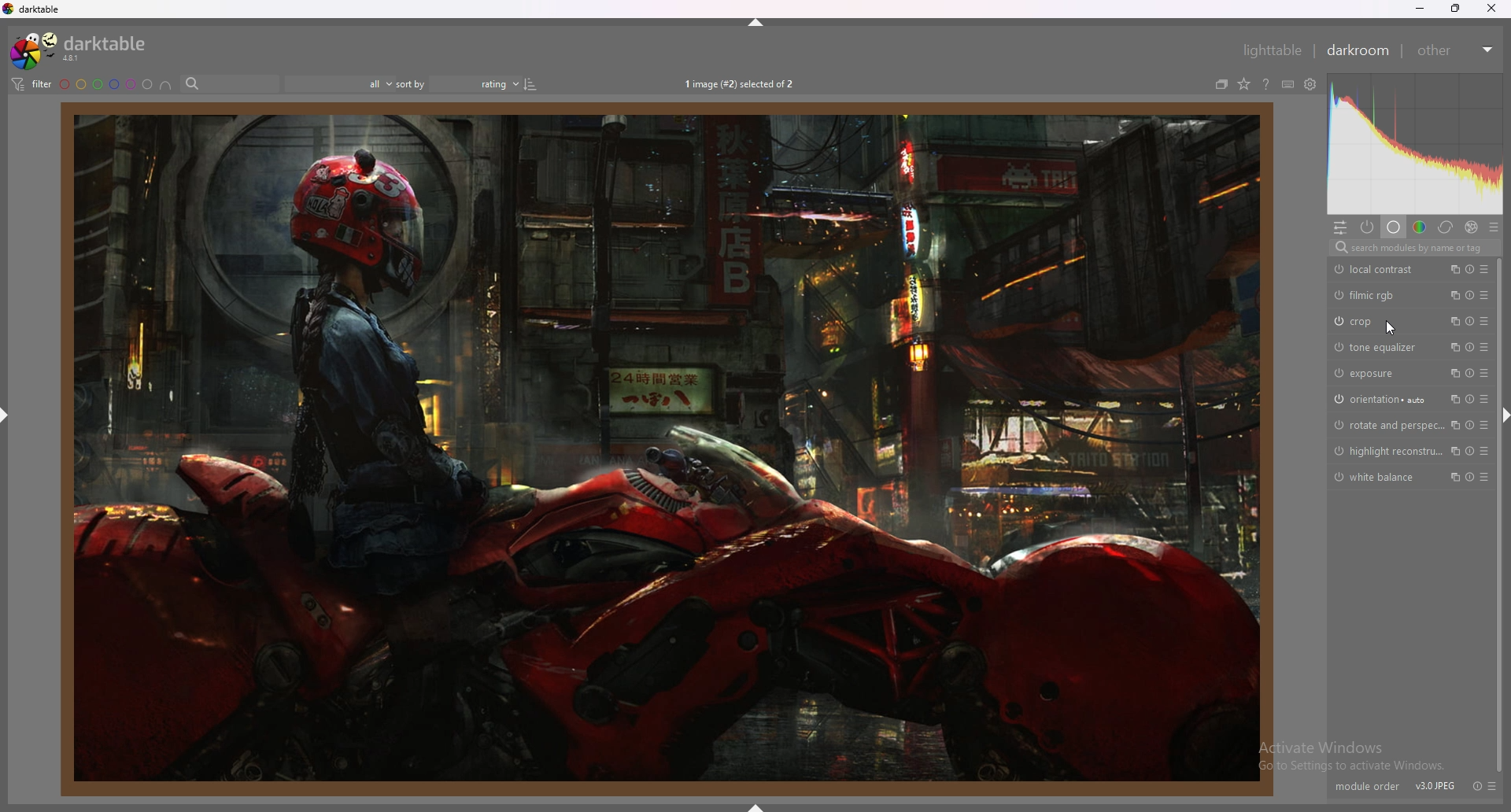 This screenshot has width=1511, height=812. Describe the element at coordinates (1266, 84) in the screenshot. I see `online help` at that location.